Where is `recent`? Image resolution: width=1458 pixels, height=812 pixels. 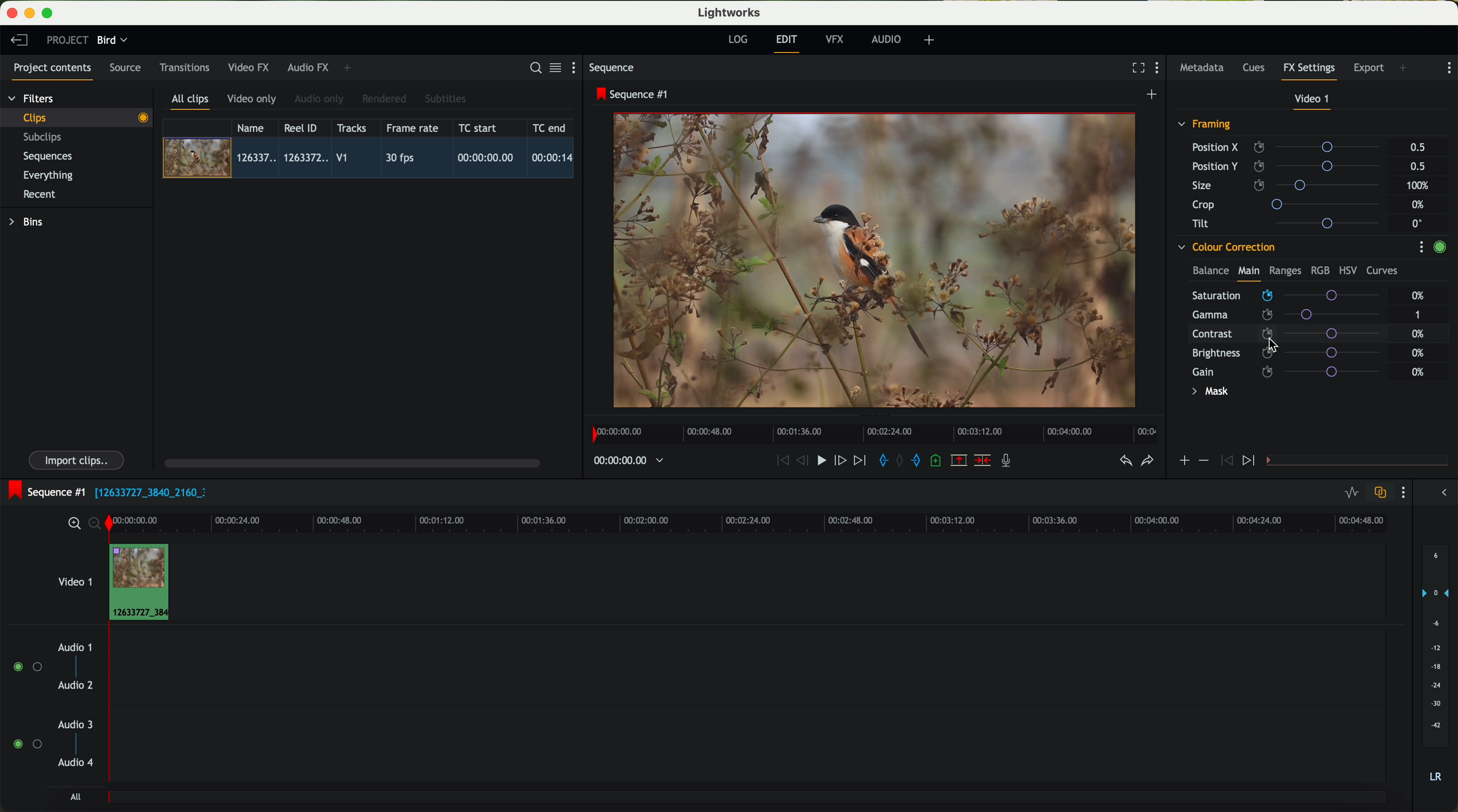
recent is located at coordinates (40, 196).